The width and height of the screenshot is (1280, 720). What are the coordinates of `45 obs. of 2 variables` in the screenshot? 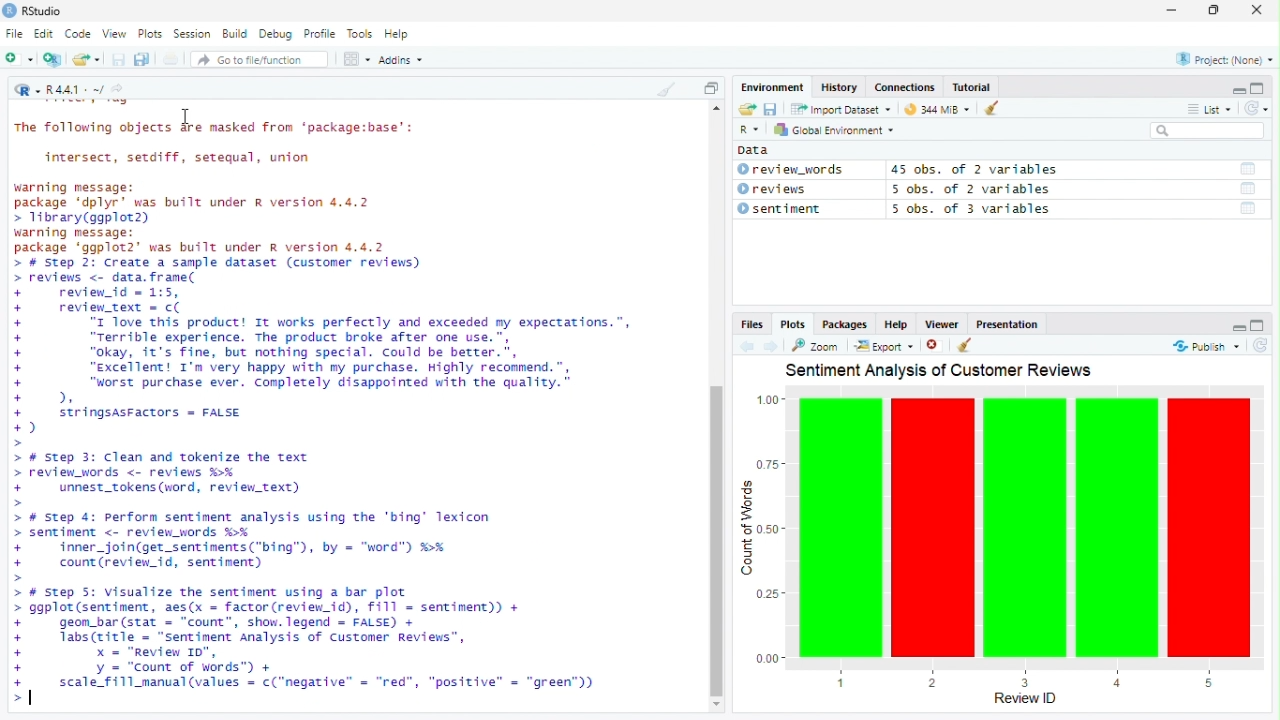 It's located at (977, 171).